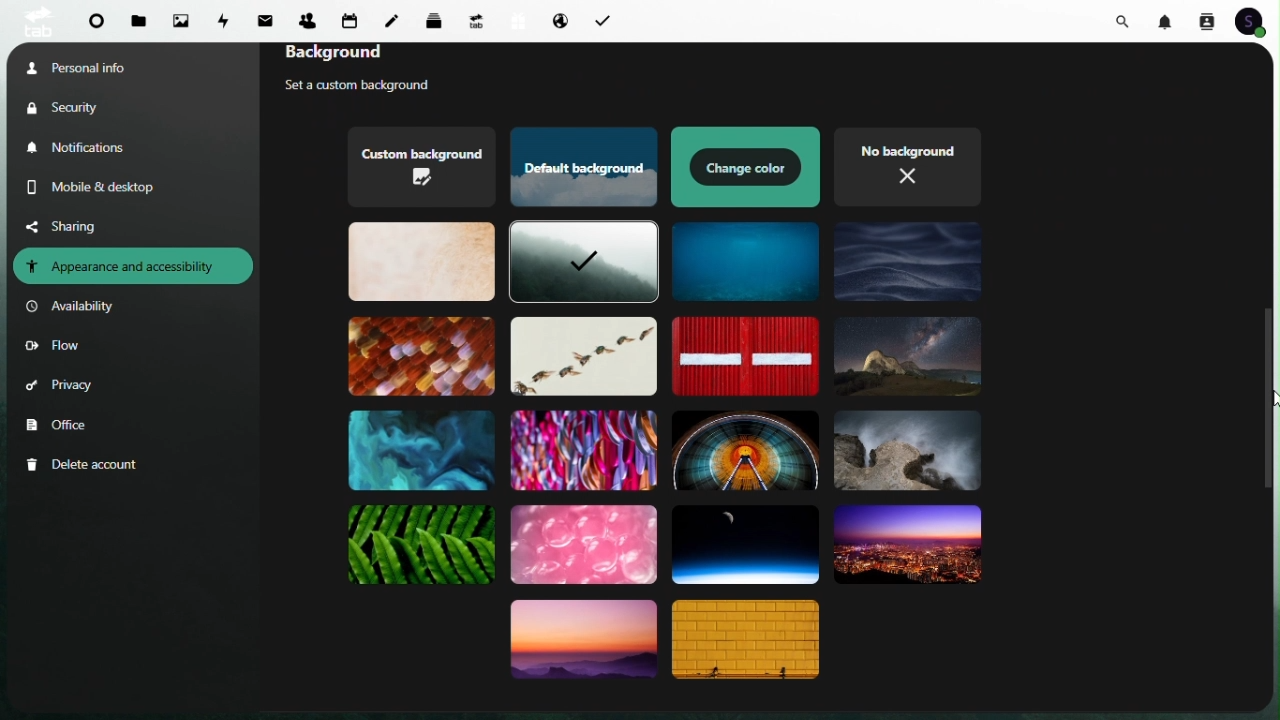 This screenshot has width=1280, height=720. I want to click on email hosting, so click(555, 20).